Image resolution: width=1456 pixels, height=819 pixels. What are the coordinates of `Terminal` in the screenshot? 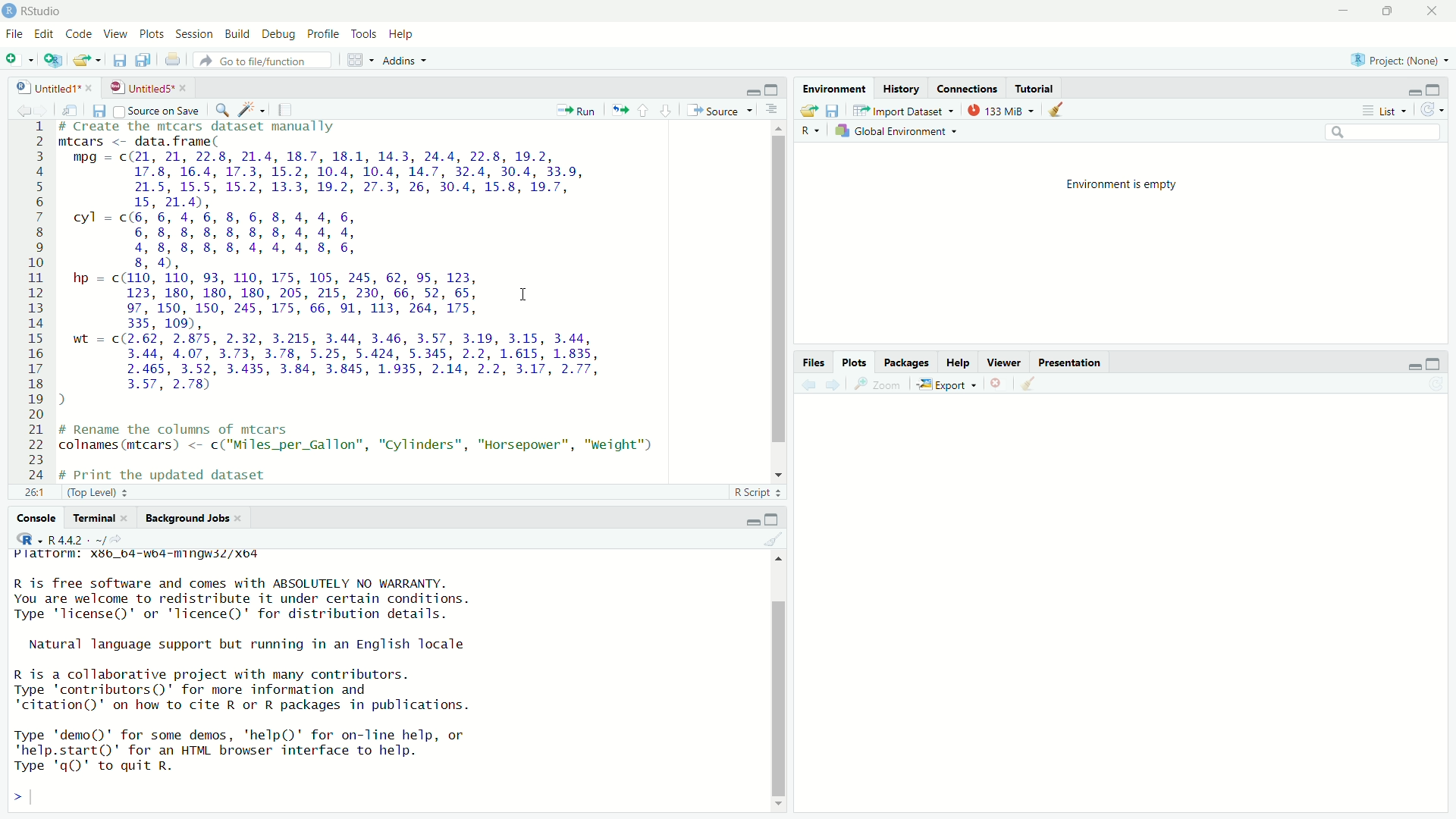 It's located at (95, 517).